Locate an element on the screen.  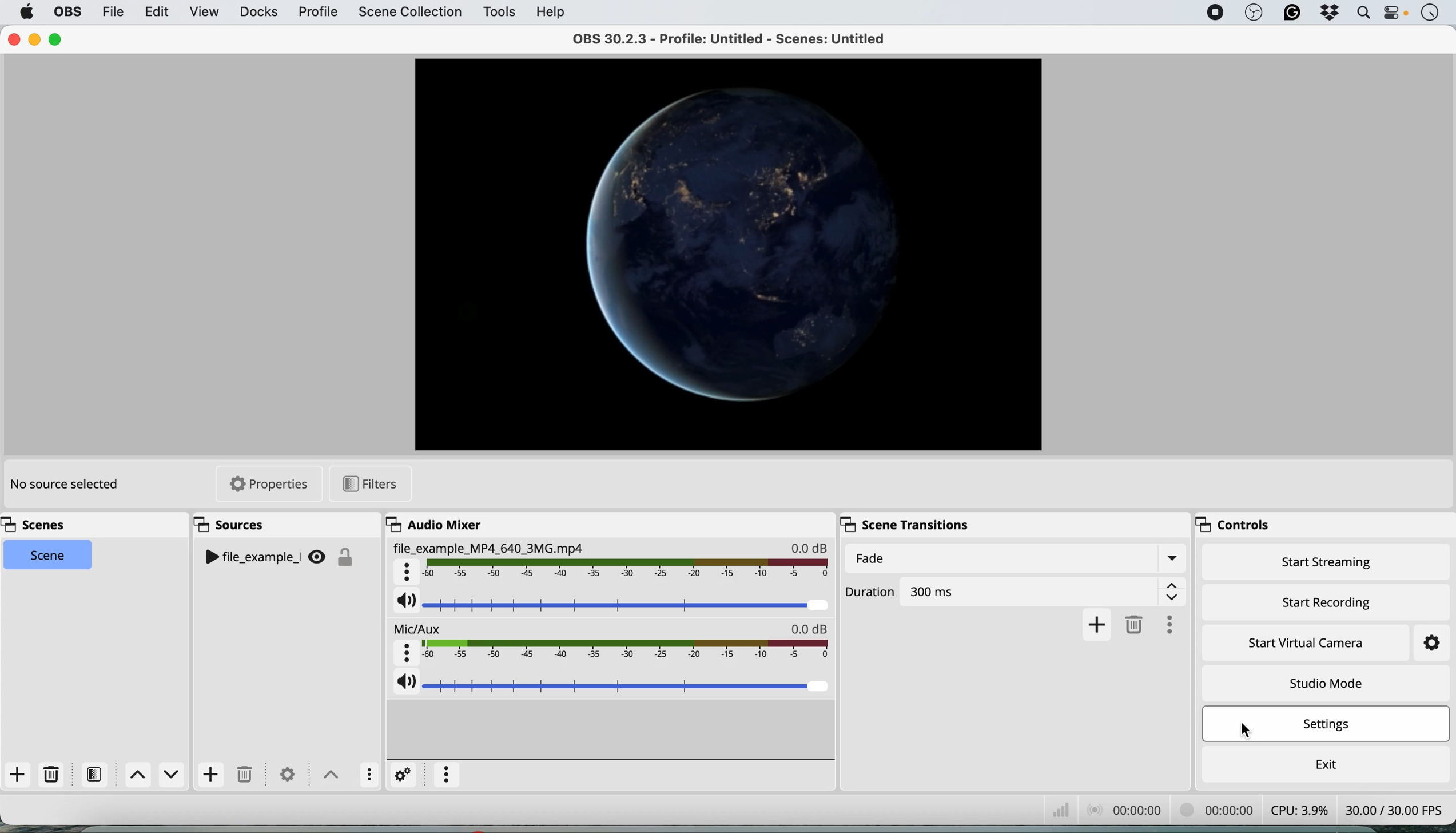
tools is located at coordinates (498, 13).